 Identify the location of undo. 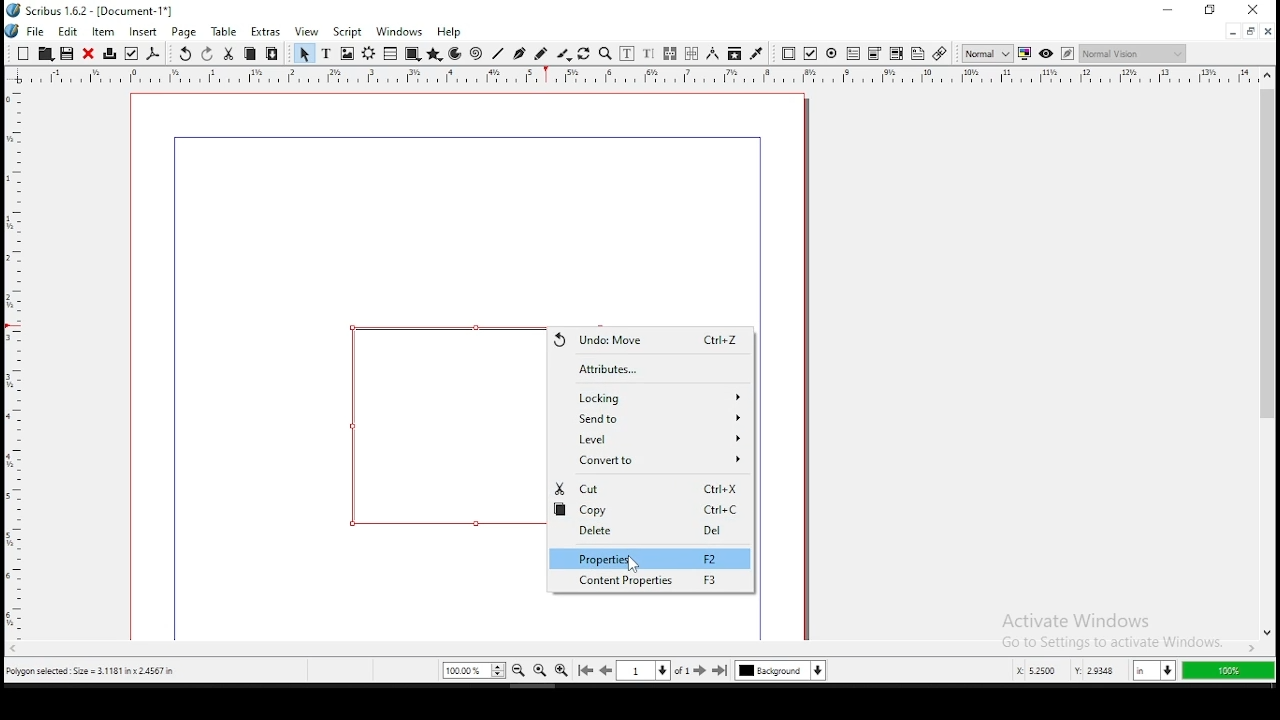
(184, 54).